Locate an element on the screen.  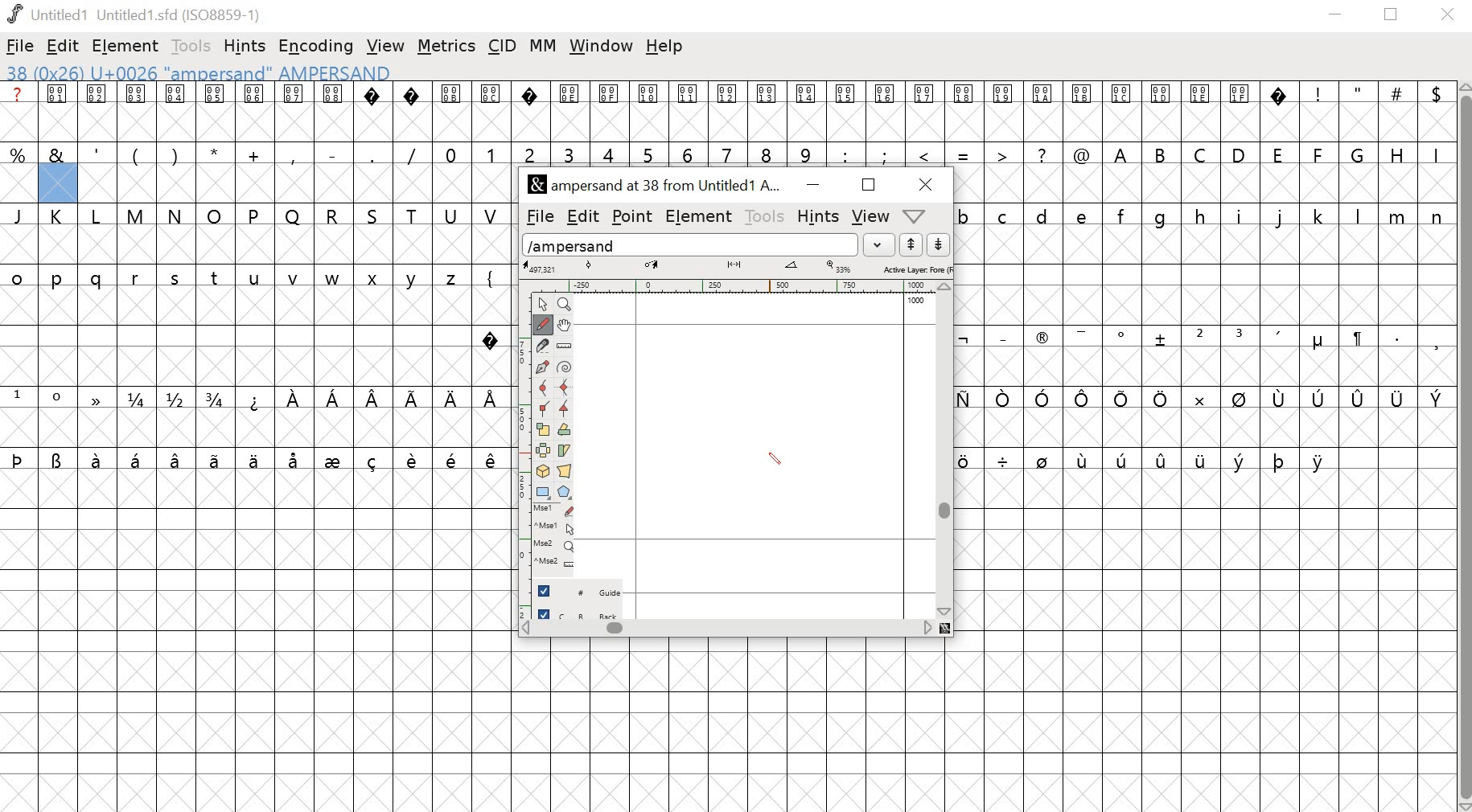
symbol is located at coordinates (1124, 399).